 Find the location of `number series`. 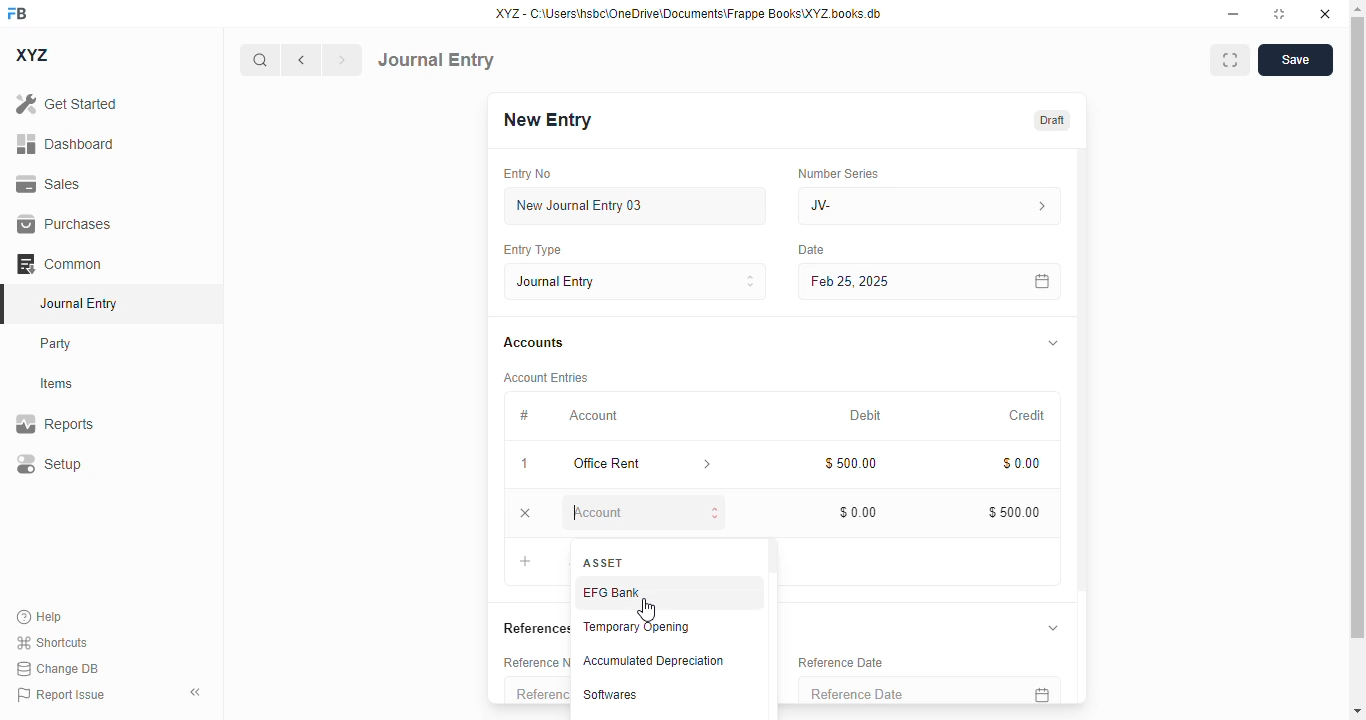

number series is located at coordinates (839, 173).